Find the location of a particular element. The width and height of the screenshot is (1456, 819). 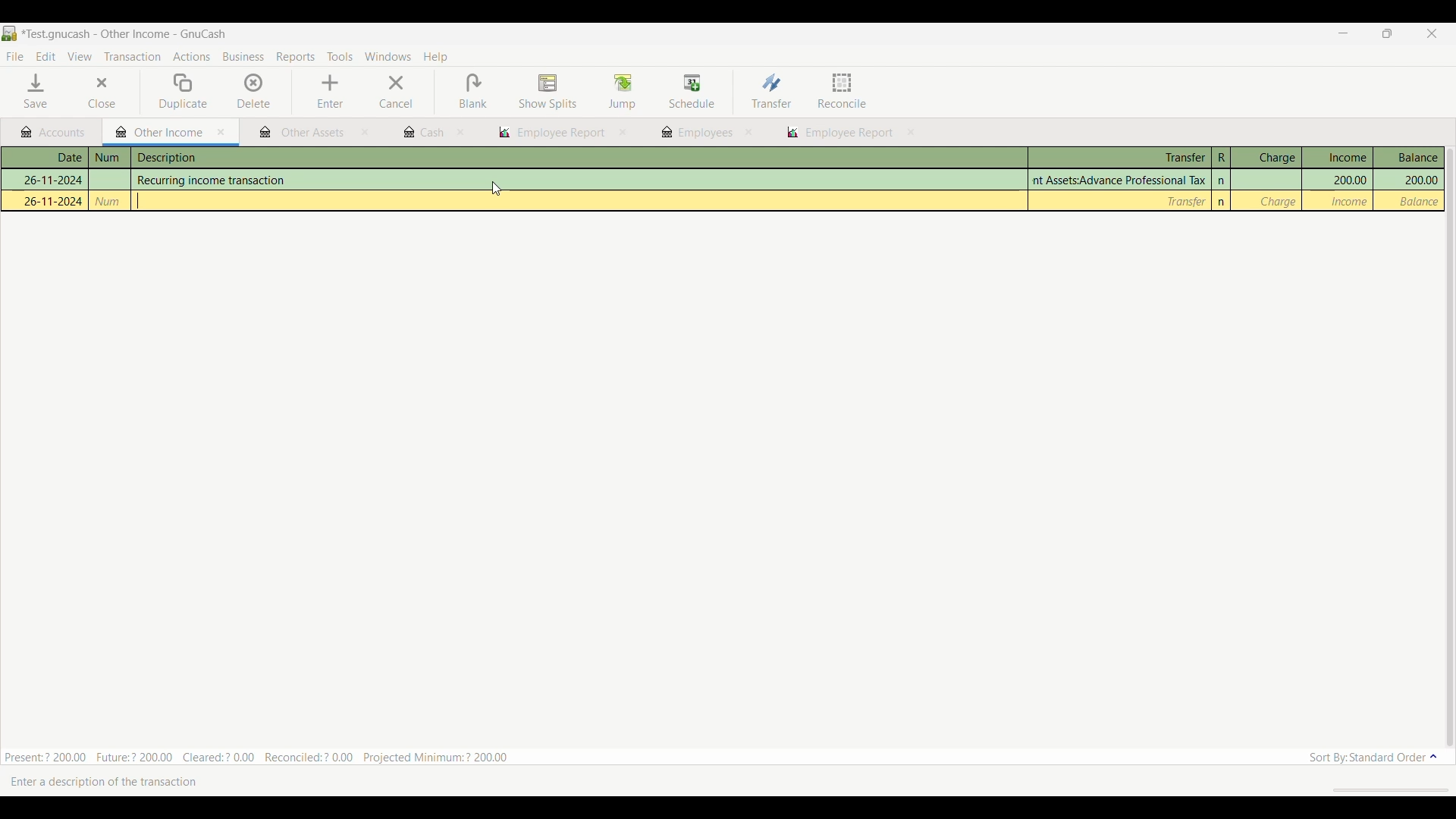

Minimize is located at coordinates (1341, 31).